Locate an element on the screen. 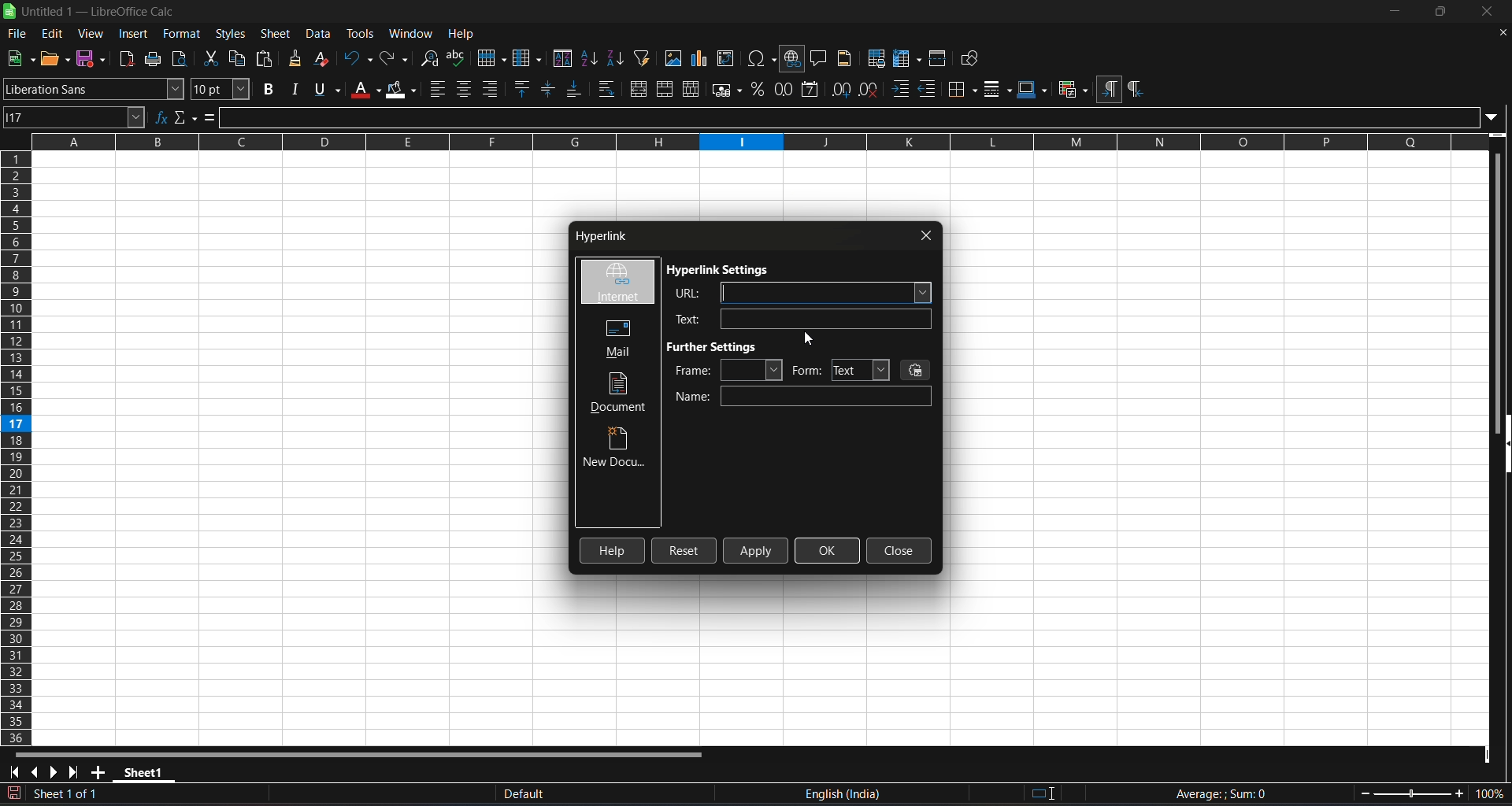 Image resolution: width=1512 pixels, height=806 pixels. edit is located at coordinates (53, 34).